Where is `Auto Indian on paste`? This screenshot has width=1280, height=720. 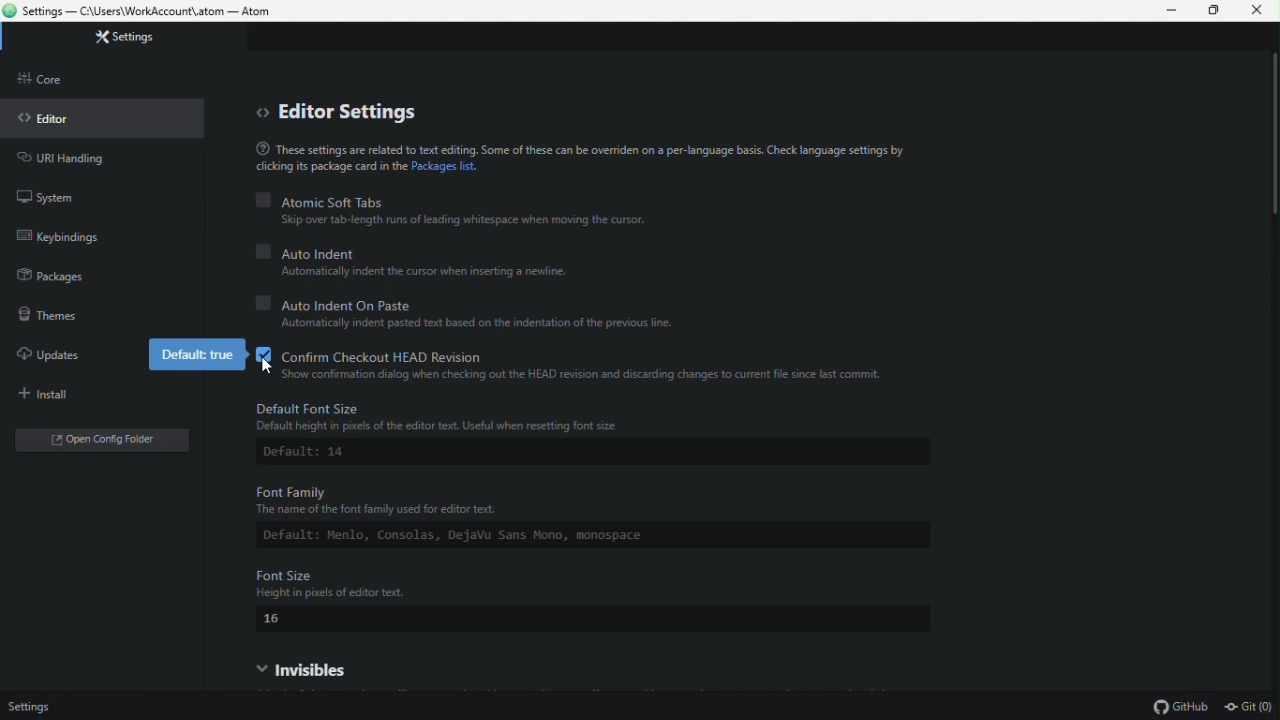
Auto Indian on paste is located at coordinates (484, 301).